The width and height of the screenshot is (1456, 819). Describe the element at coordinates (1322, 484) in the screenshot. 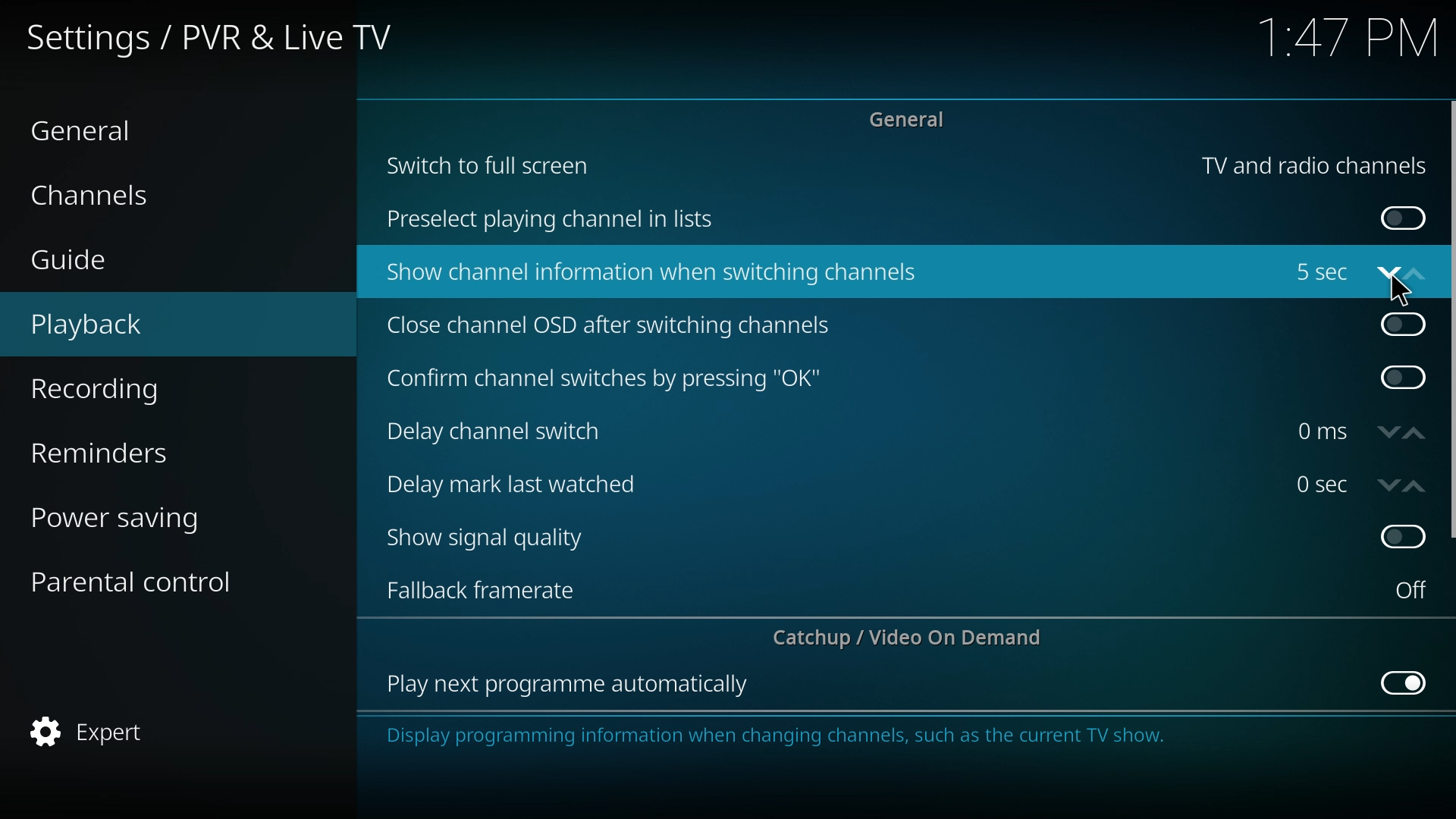

I see `time` at that location.